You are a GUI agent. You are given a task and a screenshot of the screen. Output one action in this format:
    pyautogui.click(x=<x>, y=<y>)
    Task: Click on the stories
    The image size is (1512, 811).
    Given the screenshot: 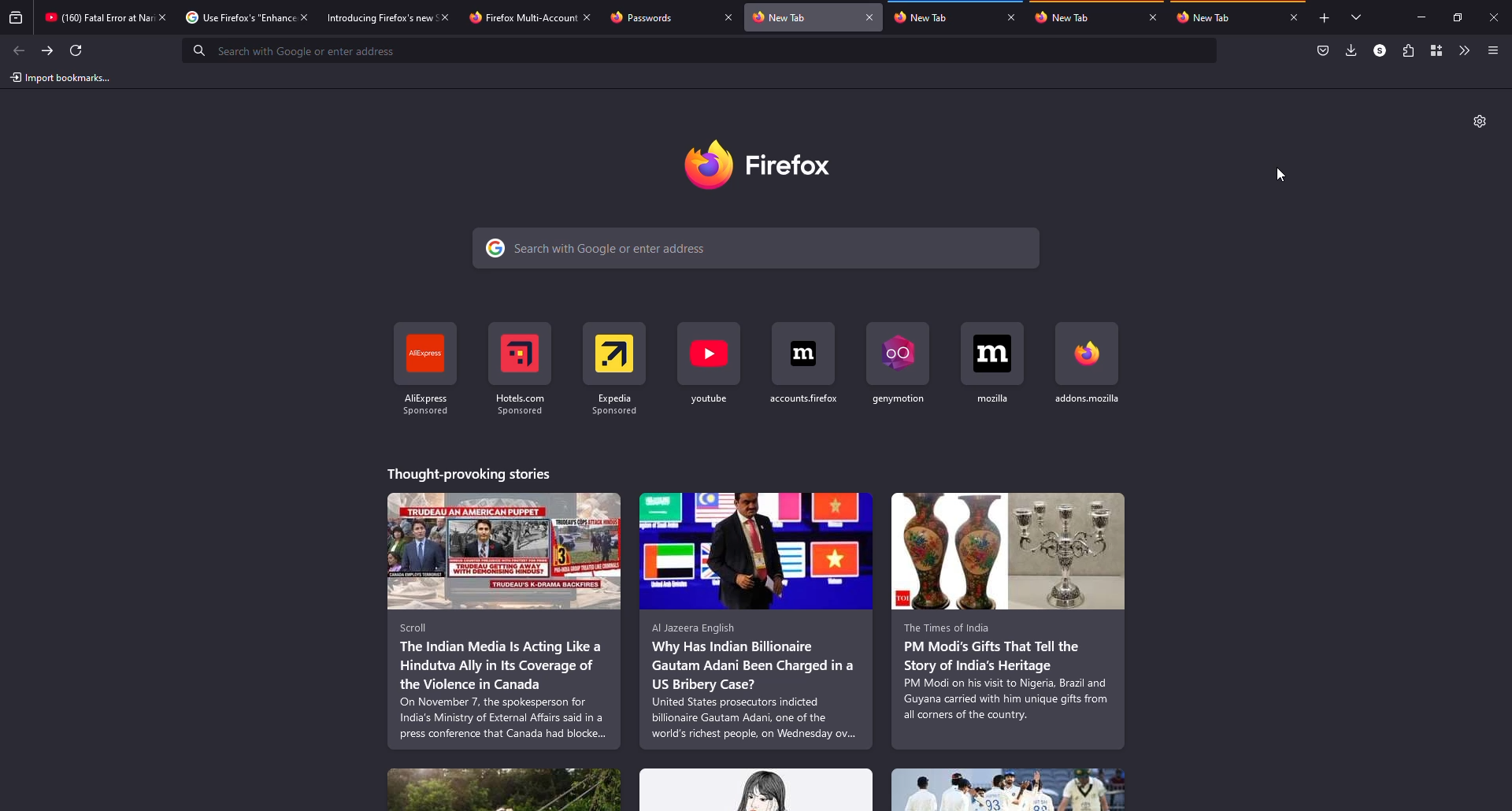 What is the action you would take?
    pyautogui.click(x=504, y=787)
    